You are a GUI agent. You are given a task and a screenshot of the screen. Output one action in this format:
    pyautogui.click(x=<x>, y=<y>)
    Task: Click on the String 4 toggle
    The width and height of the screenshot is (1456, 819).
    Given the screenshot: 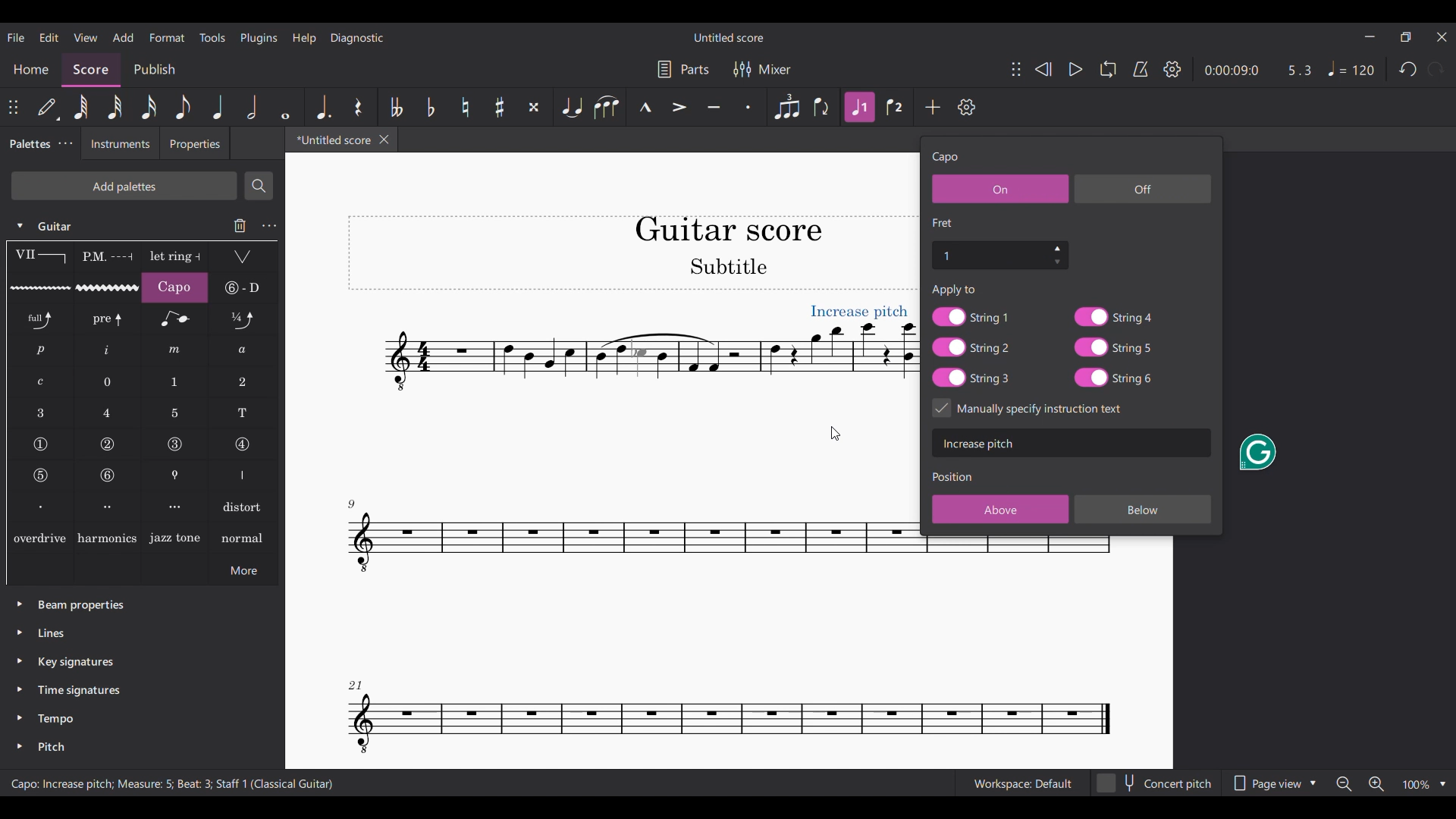 What is the action you would take?
    pyautogui.click(x=1114, y=317)
    